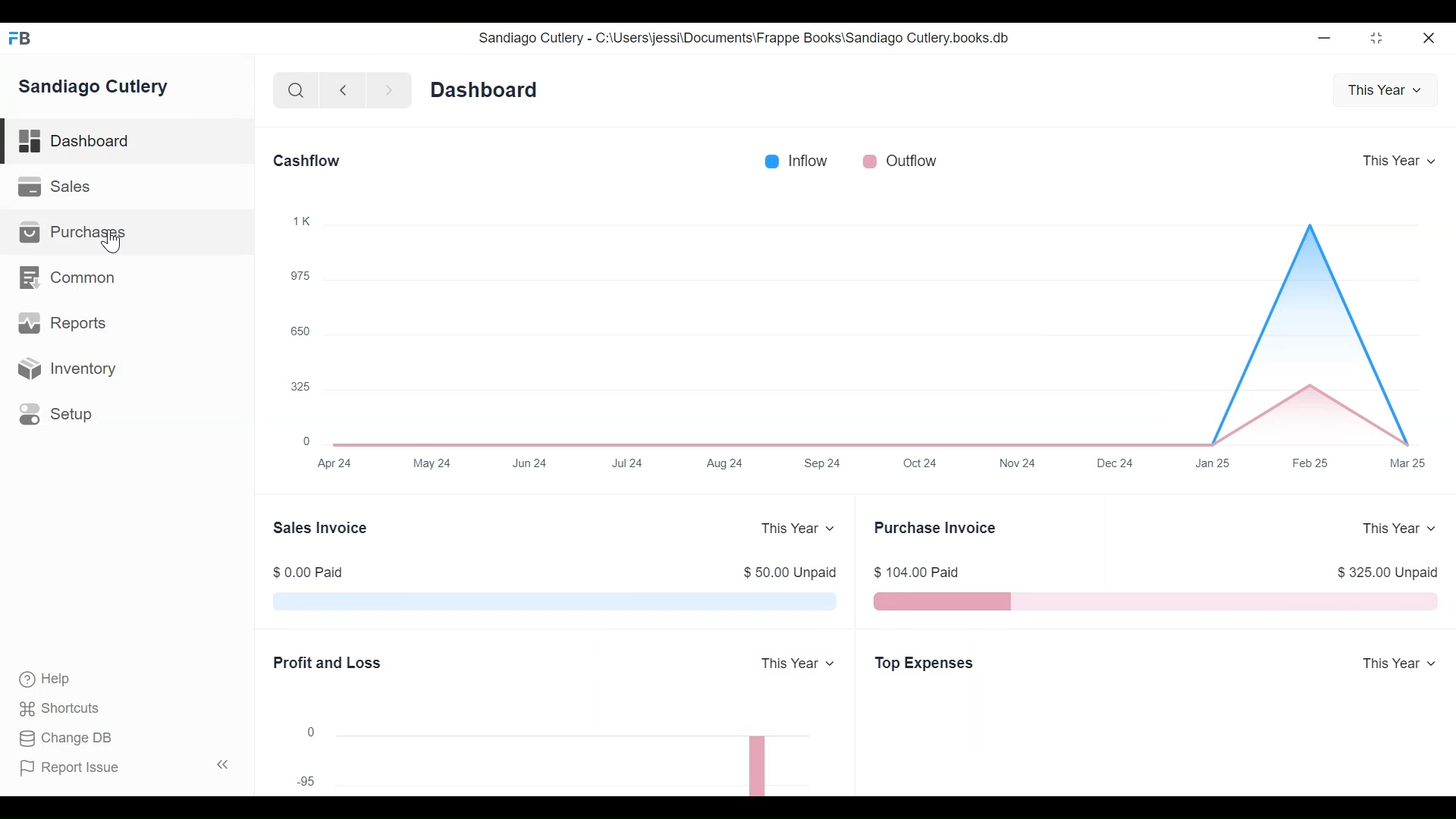 The height and width of the screenshot is (819, 1456). What do you see at coordinates (532, 462) in the screenshot?
I see `Jun 24` at bounding box center [532, 462].